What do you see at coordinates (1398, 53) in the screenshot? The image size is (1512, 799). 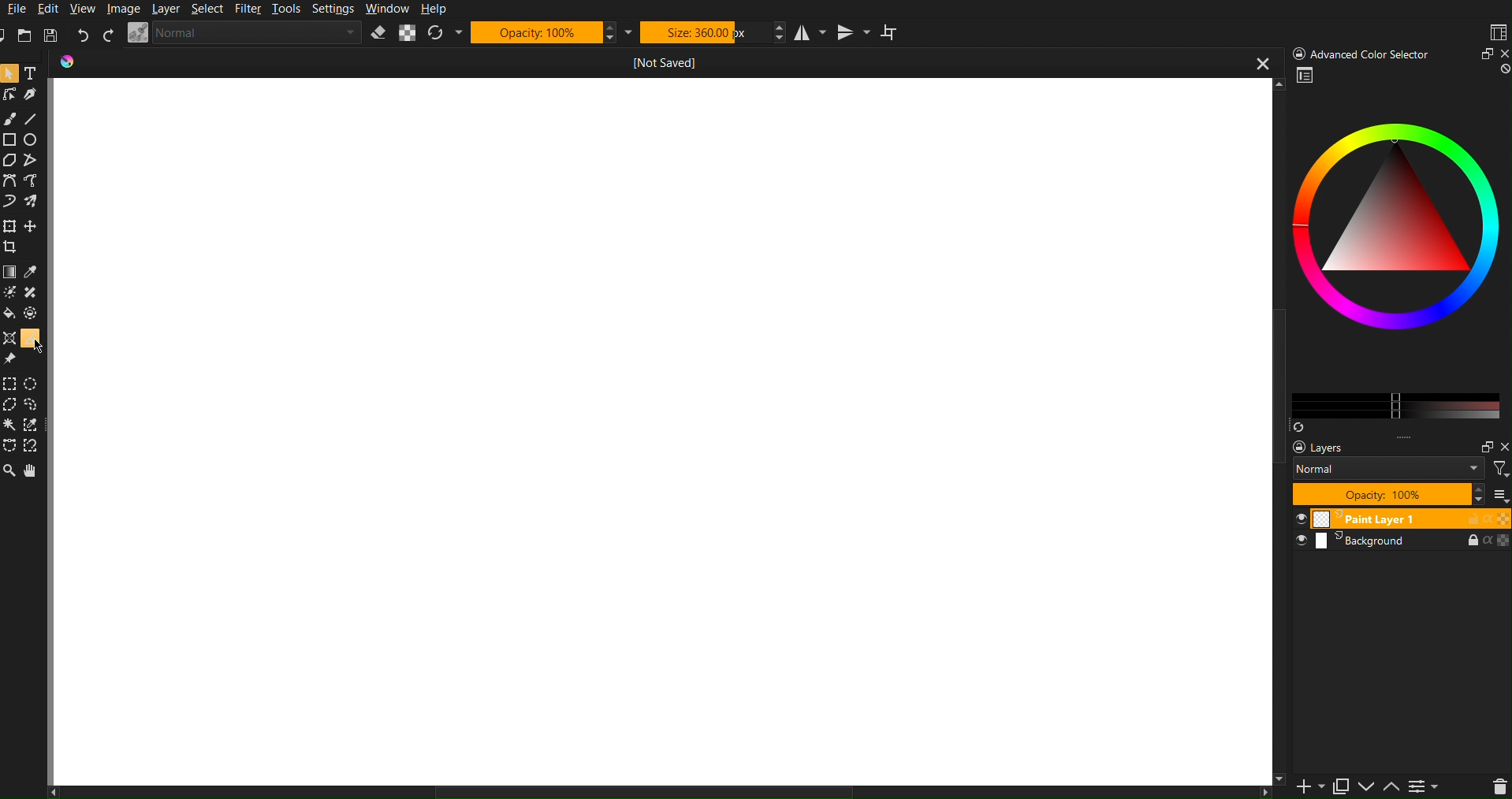 I see `Advanced Color Selector` at bounding box center [1398, 53].